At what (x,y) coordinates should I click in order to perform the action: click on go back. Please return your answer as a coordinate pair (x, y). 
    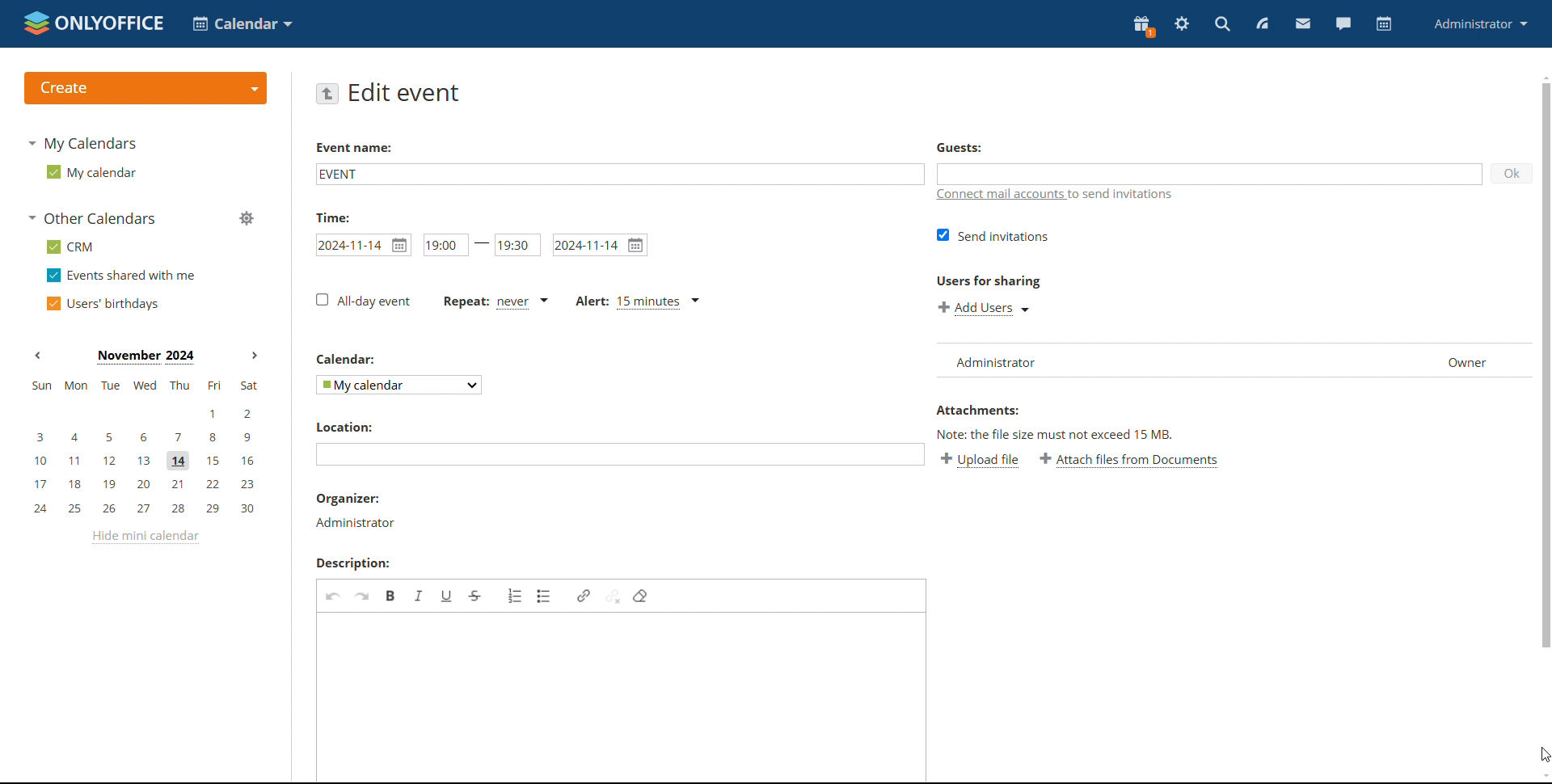
    Looking at the image, I should click on (328, 93).